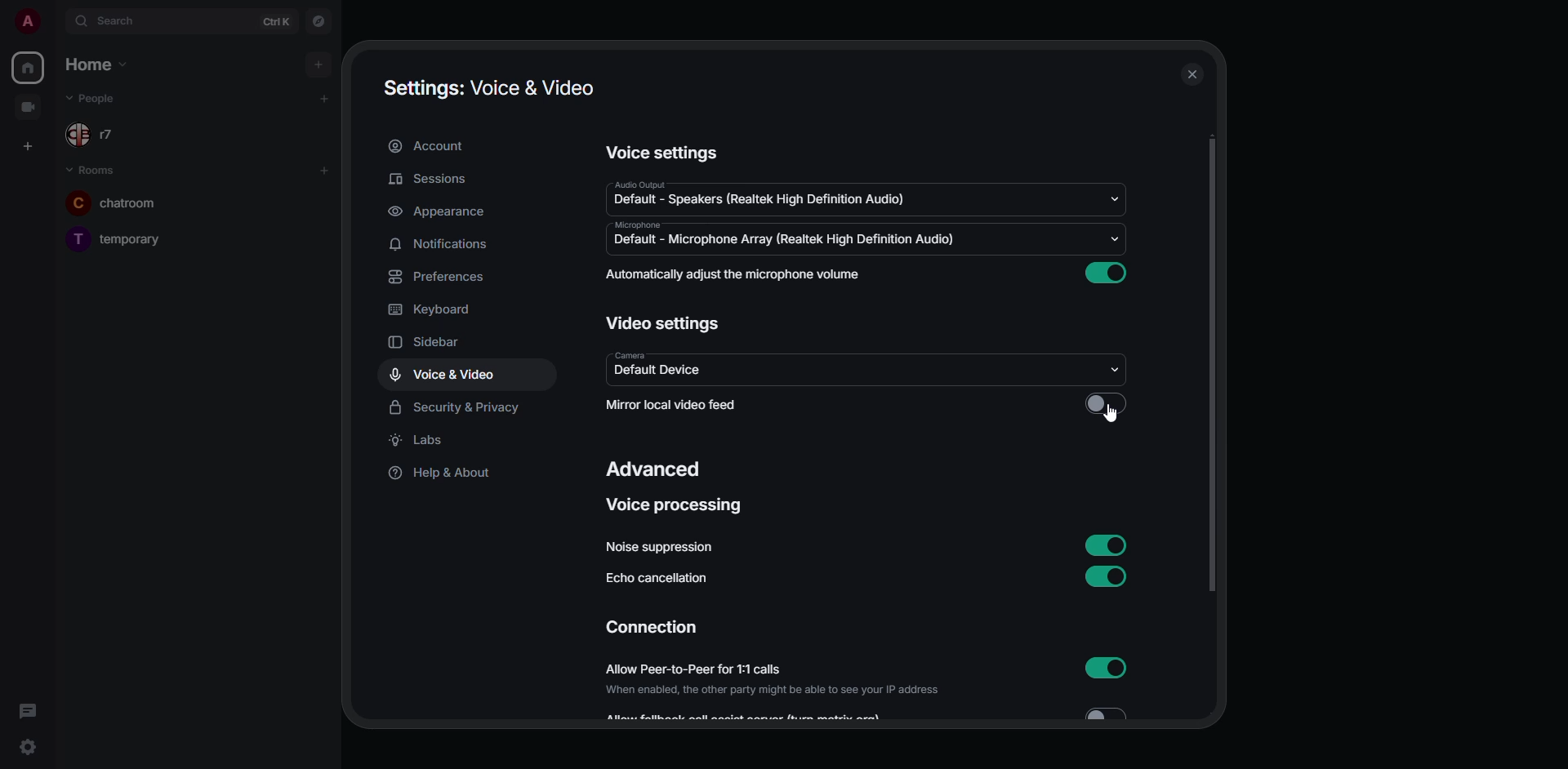  Describe the element at coordinates (657, 628) in the screenshot. I see `connection` at that location.